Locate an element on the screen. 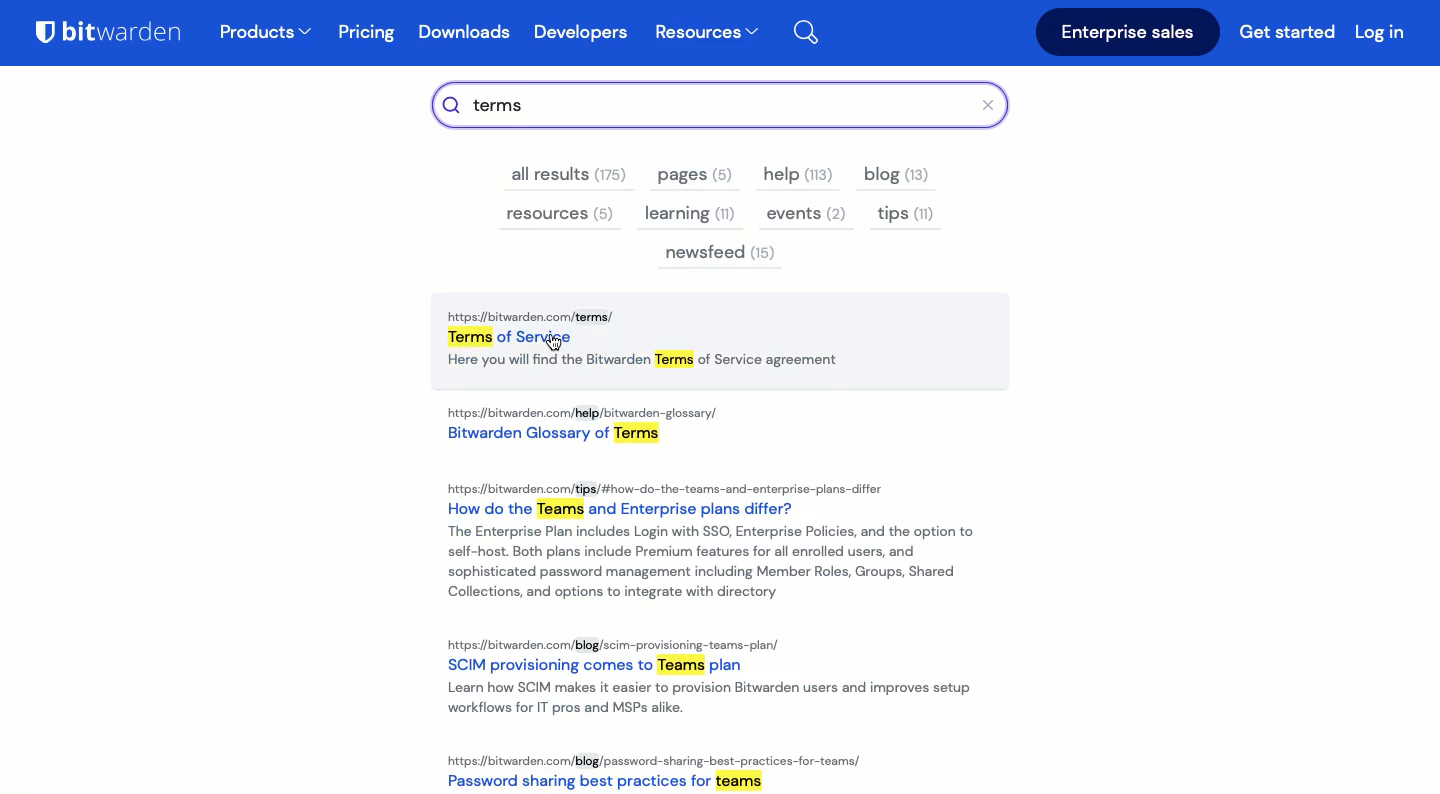 Image resolution: width=1440 pixels, height=794 pixels. Enterprise sales is located at coordinates (1128, 33).